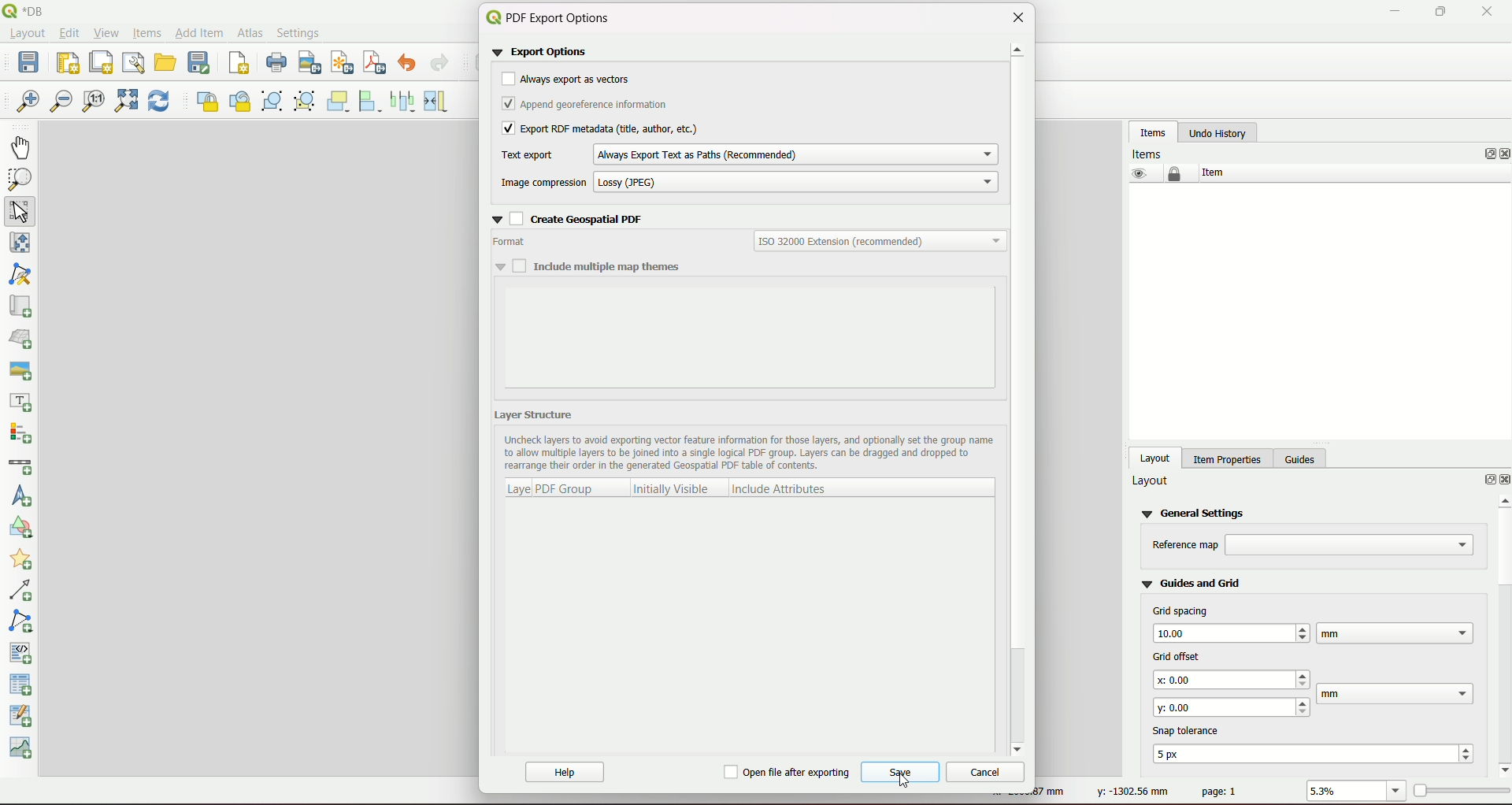 Image resolution: width=1512 pixels, height=805 pixels. What do you see at coordinates (1191, 582) in the screenshot?
I see `guides and grid` at bounding box center [1191, 582].